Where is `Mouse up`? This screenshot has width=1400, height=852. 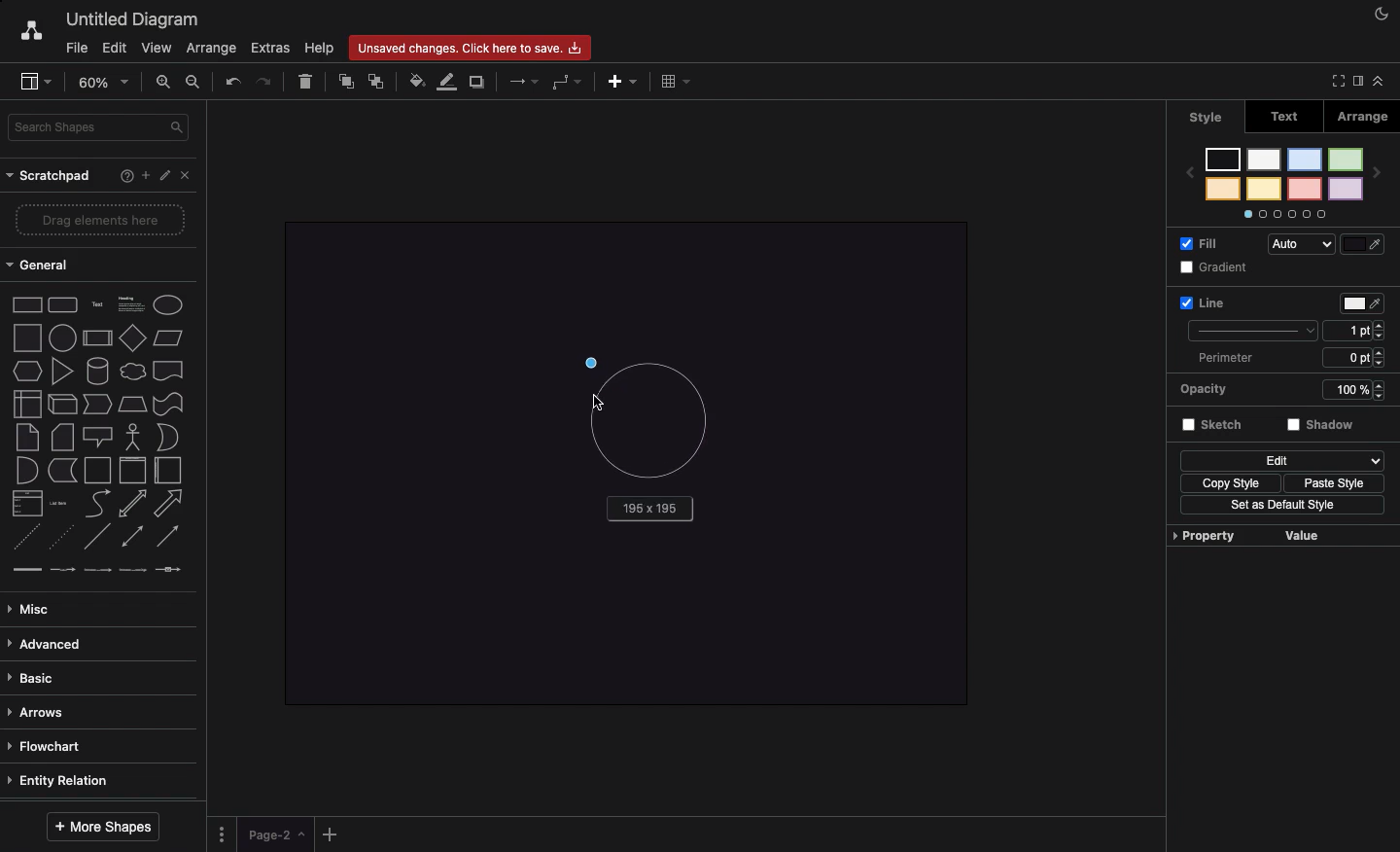
Mouse up is located at coordinates (596, 362).